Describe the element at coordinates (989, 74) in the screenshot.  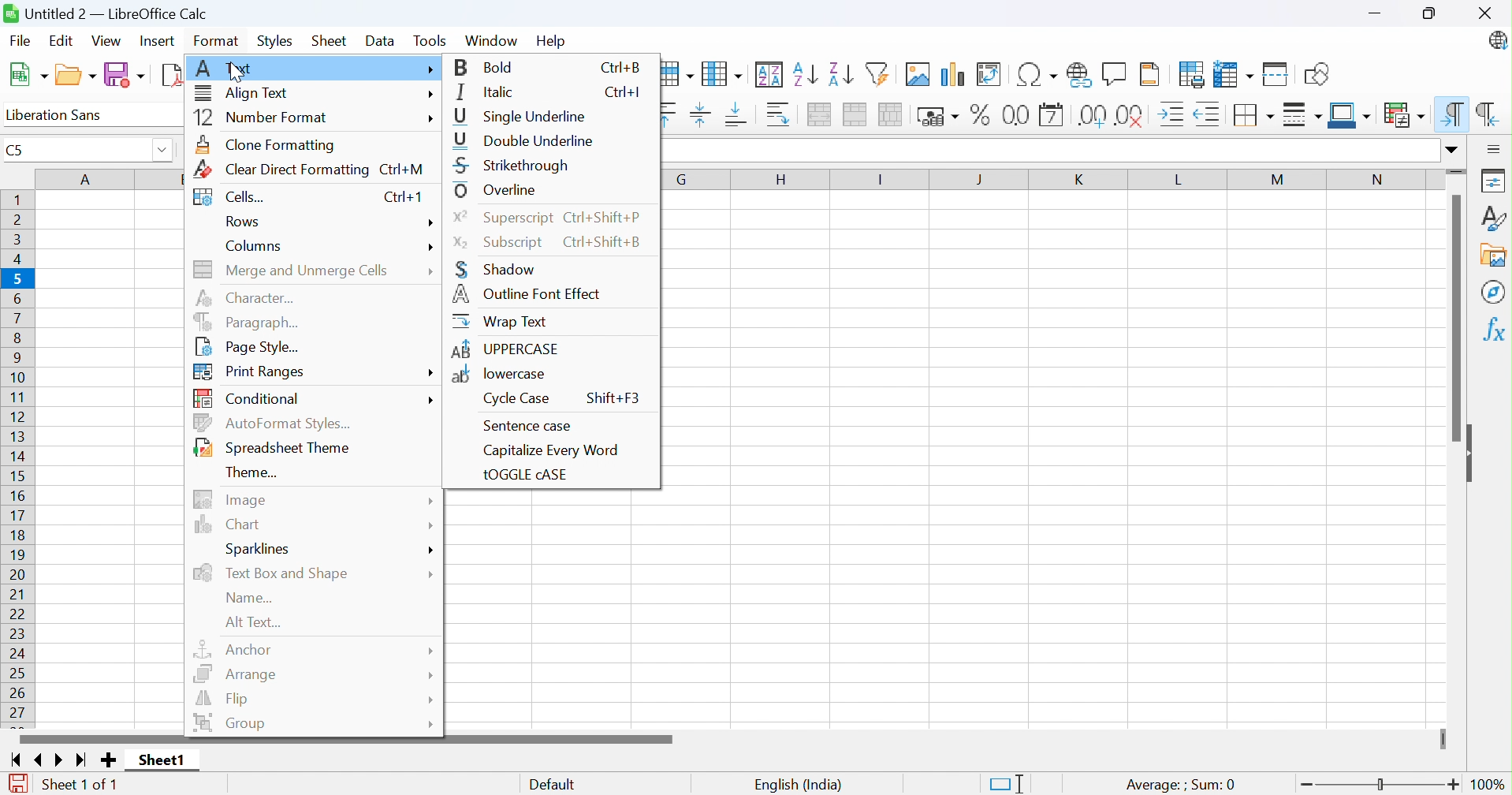
I see `Insert or edit pivot table` at that location.